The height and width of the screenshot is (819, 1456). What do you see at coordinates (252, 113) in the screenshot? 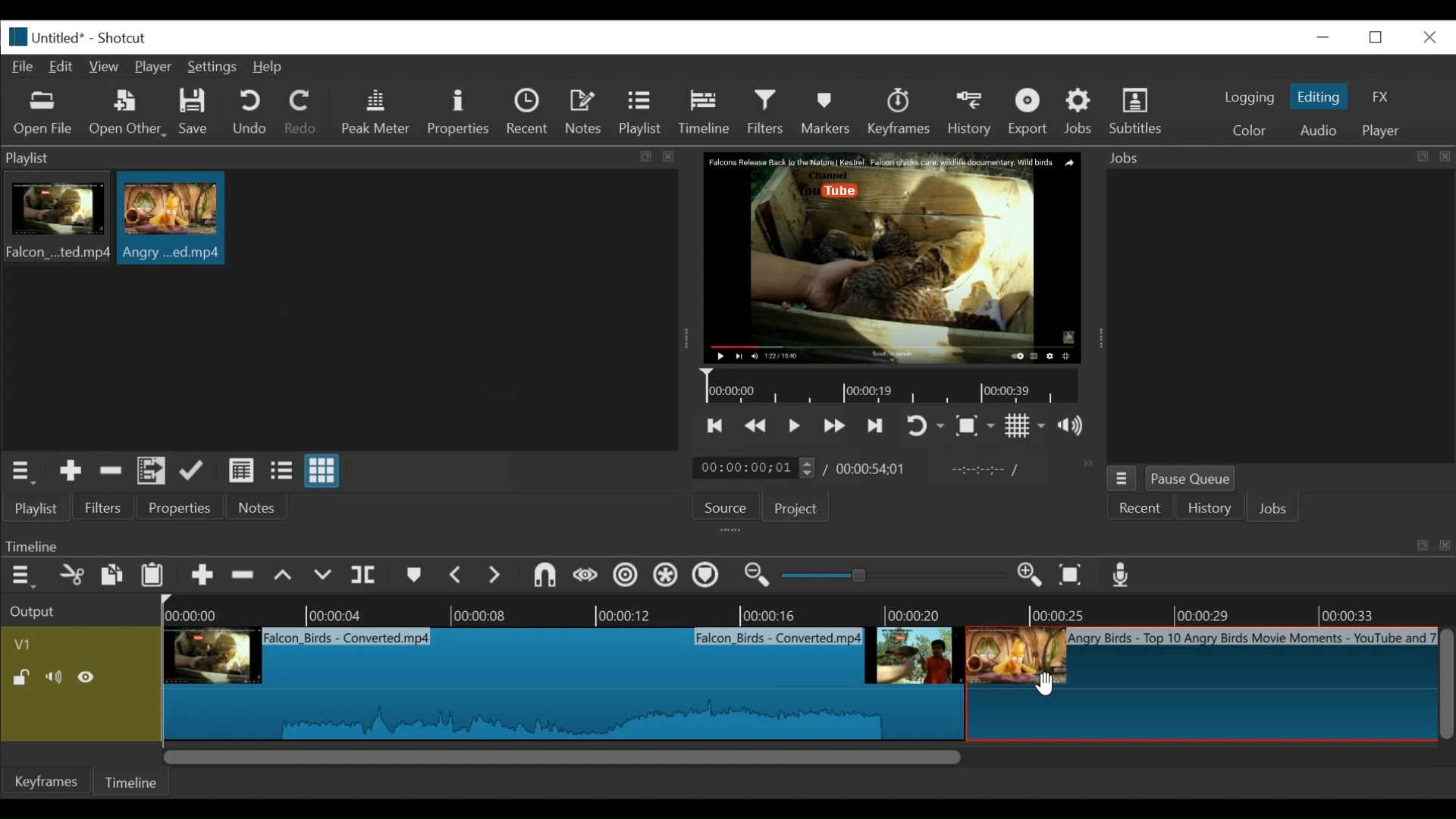
I see `Undo` at bounding box center [252, 113].